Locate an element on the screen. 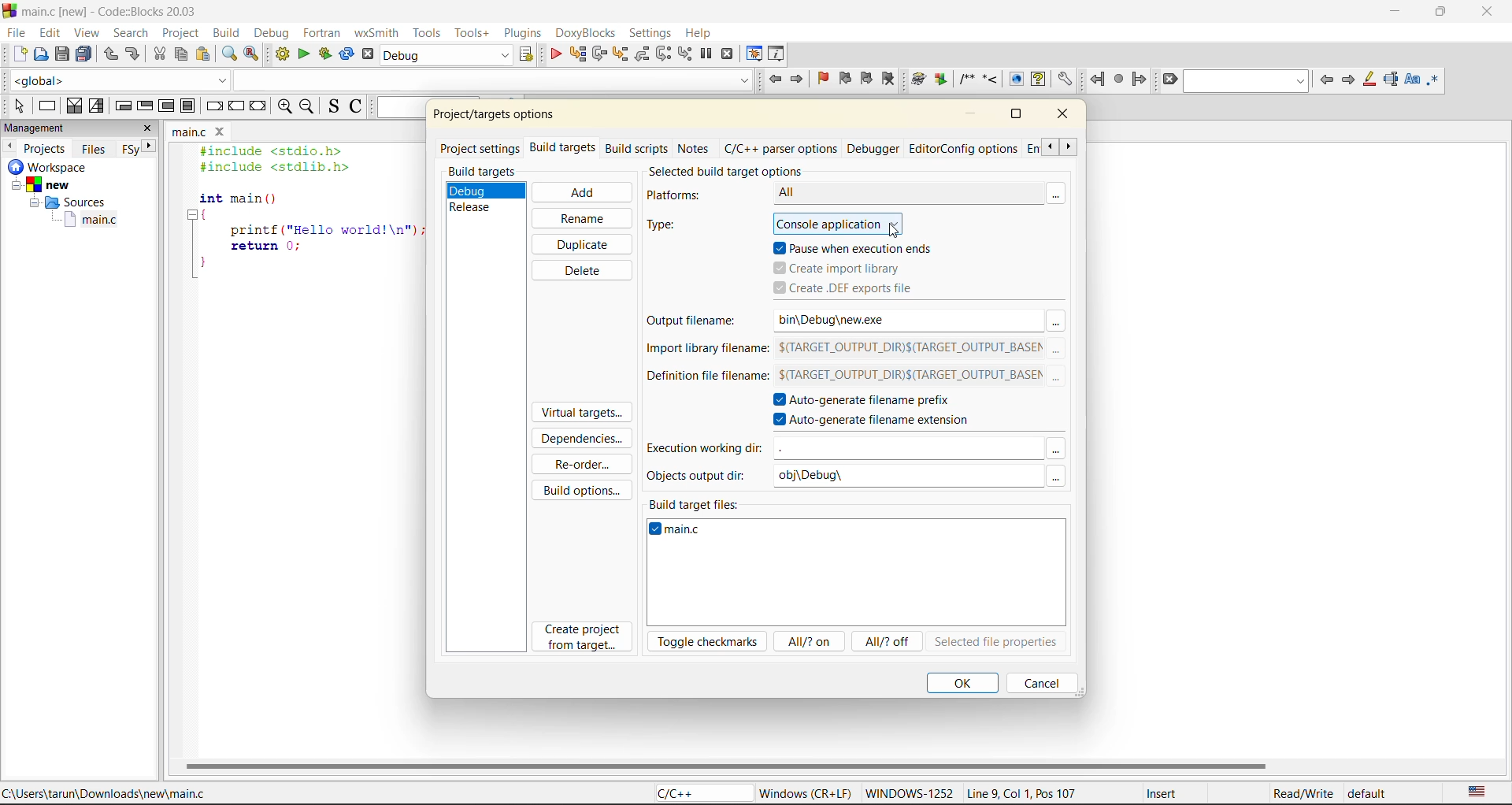 Image resolution: width=1512 pixels, height=805 pixels. rebuild is located at coordinates (348, 54).